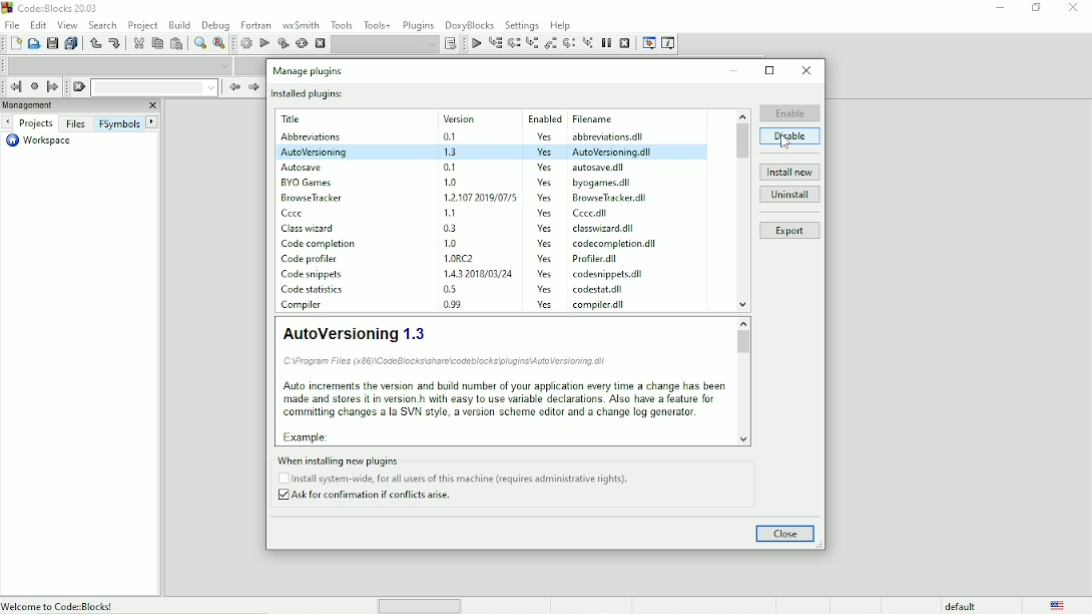 The image size is (1092, 614). Describe the element at coordinates (34, 44) in the screenshot. I see `Open` at that location.